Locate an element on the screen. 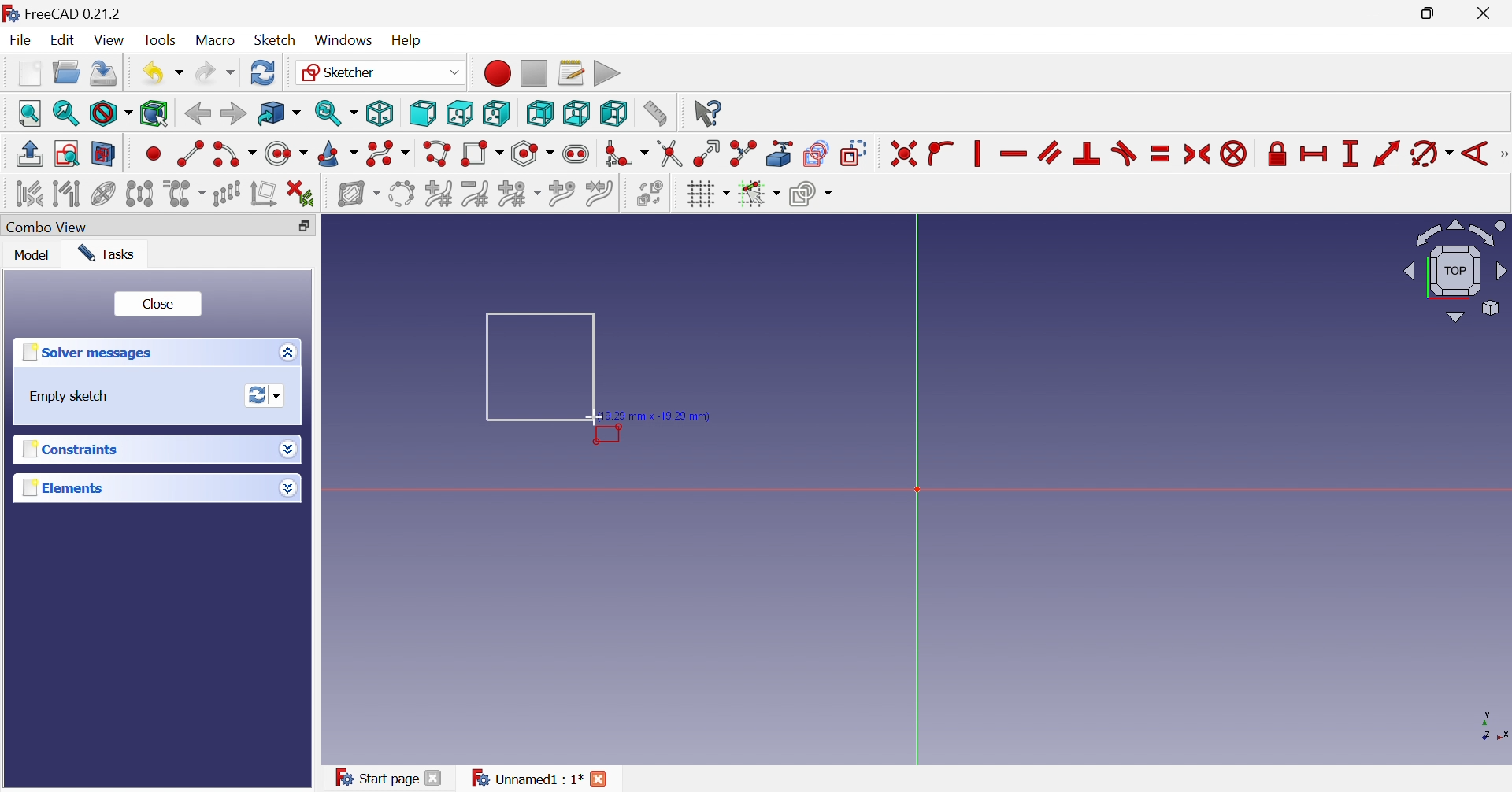 Image resolution: width=1512 pixels, height=792 pixels. Toggle grid is located at coordinates (708, 194).